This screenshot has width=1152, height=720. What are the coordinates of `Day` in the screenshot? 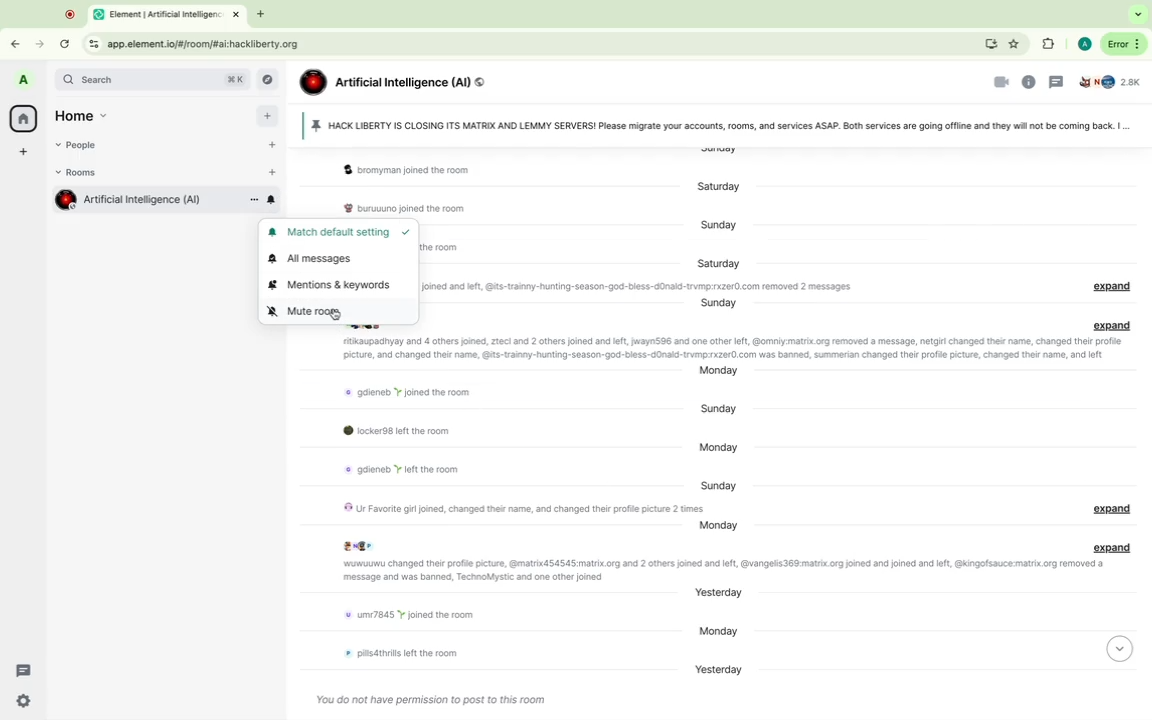 It's located at (717, 449).